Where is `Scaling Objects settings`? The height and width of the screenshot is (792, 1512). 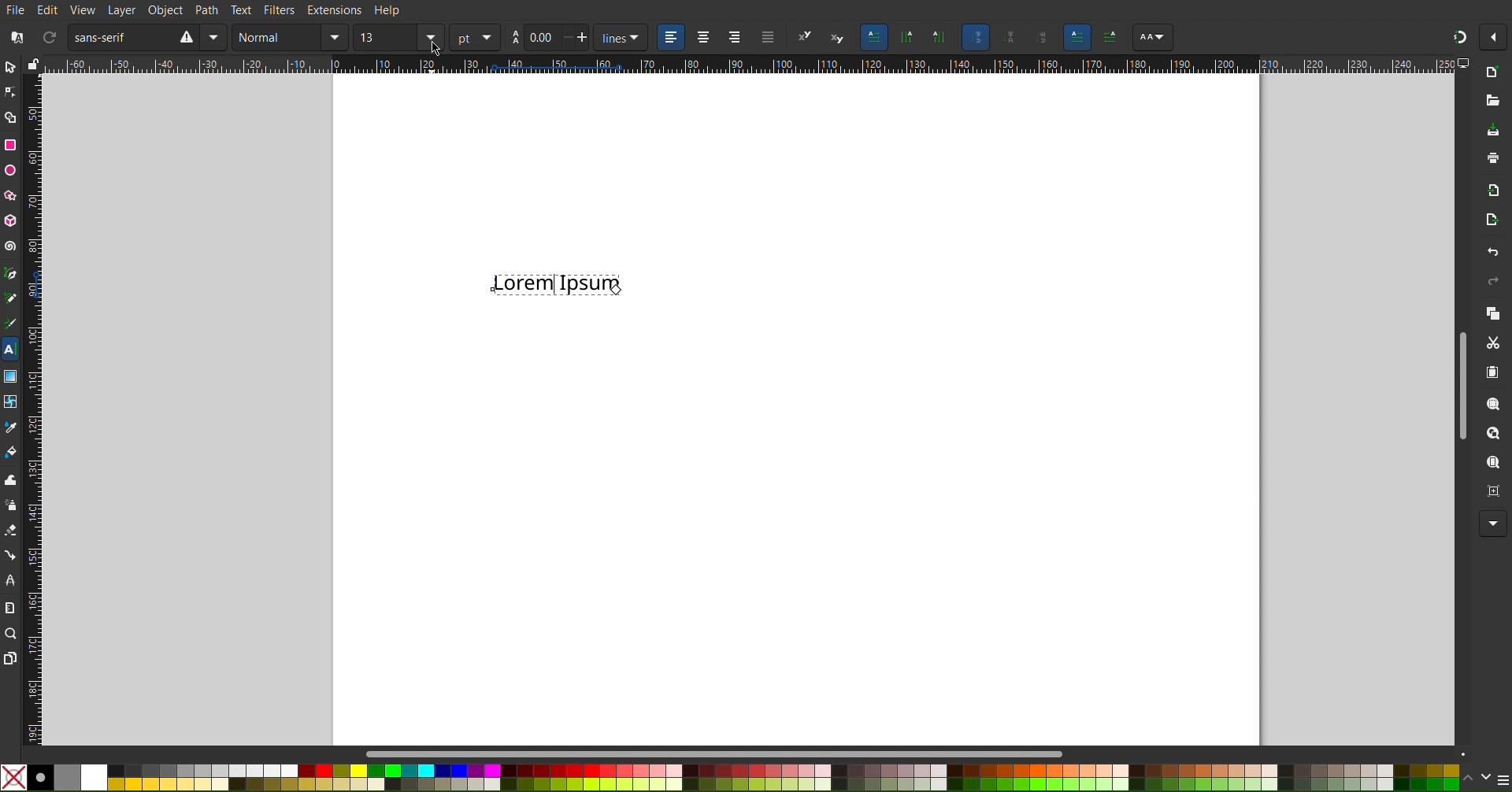
Scaling Objects settings is located at coordinates (939, 37).